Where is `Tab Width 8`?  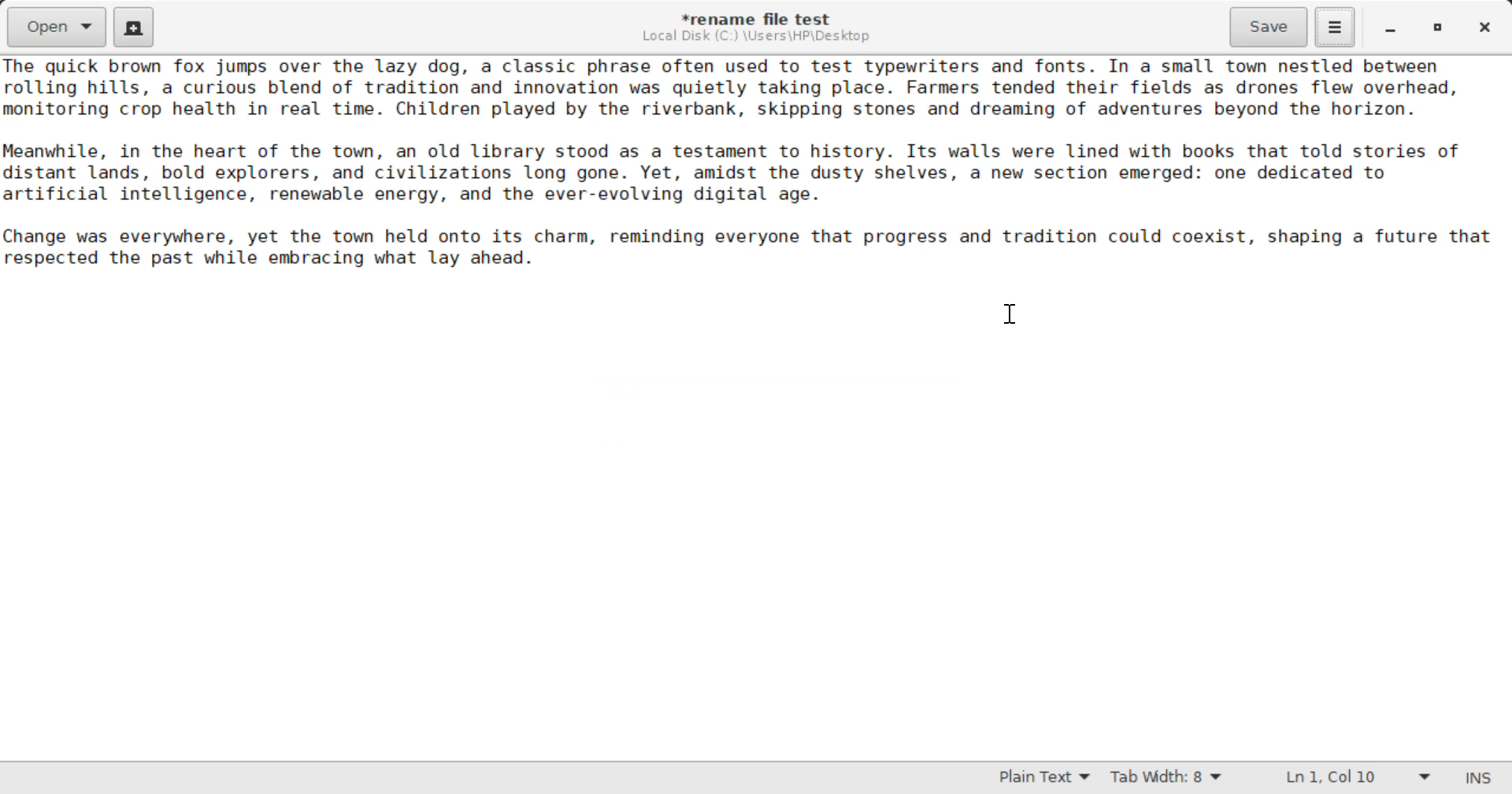 Tab Width 8 is located at coordinates (1166, 779).